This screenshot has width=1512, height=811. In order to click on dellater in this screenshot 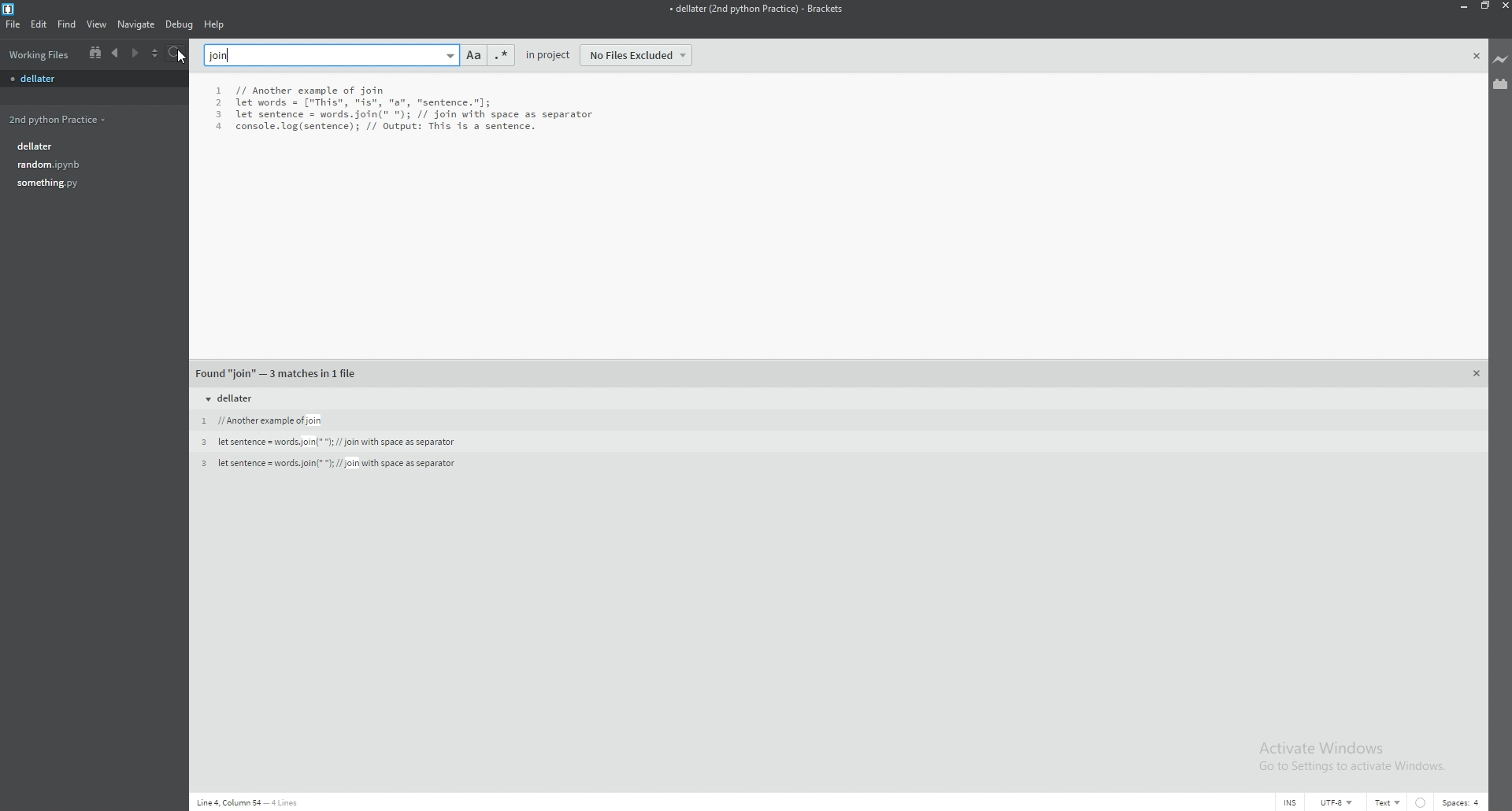, I will do `click(233, 398)`.